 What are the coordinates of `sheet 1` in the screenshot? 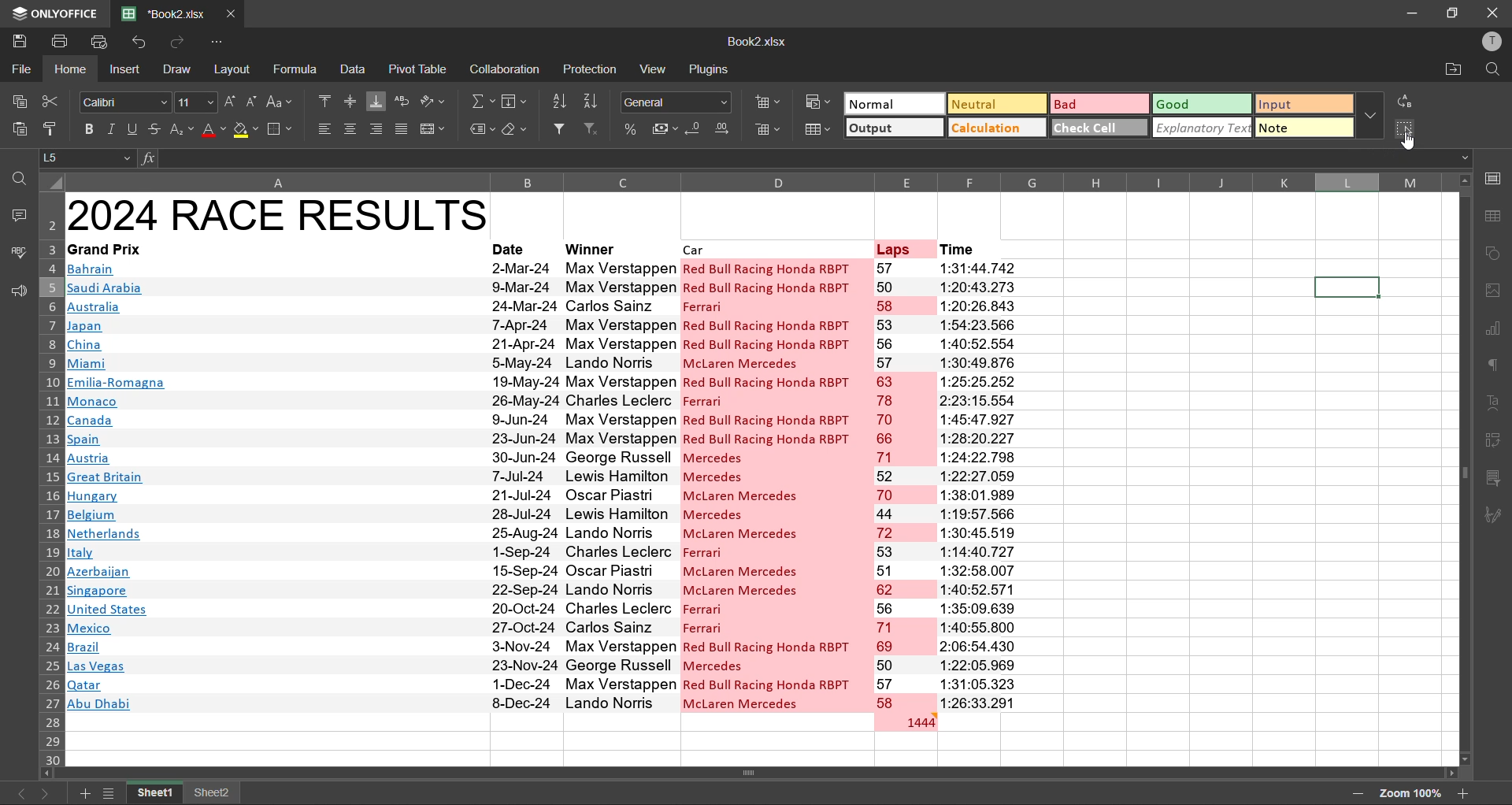 It's located at (155, 793).